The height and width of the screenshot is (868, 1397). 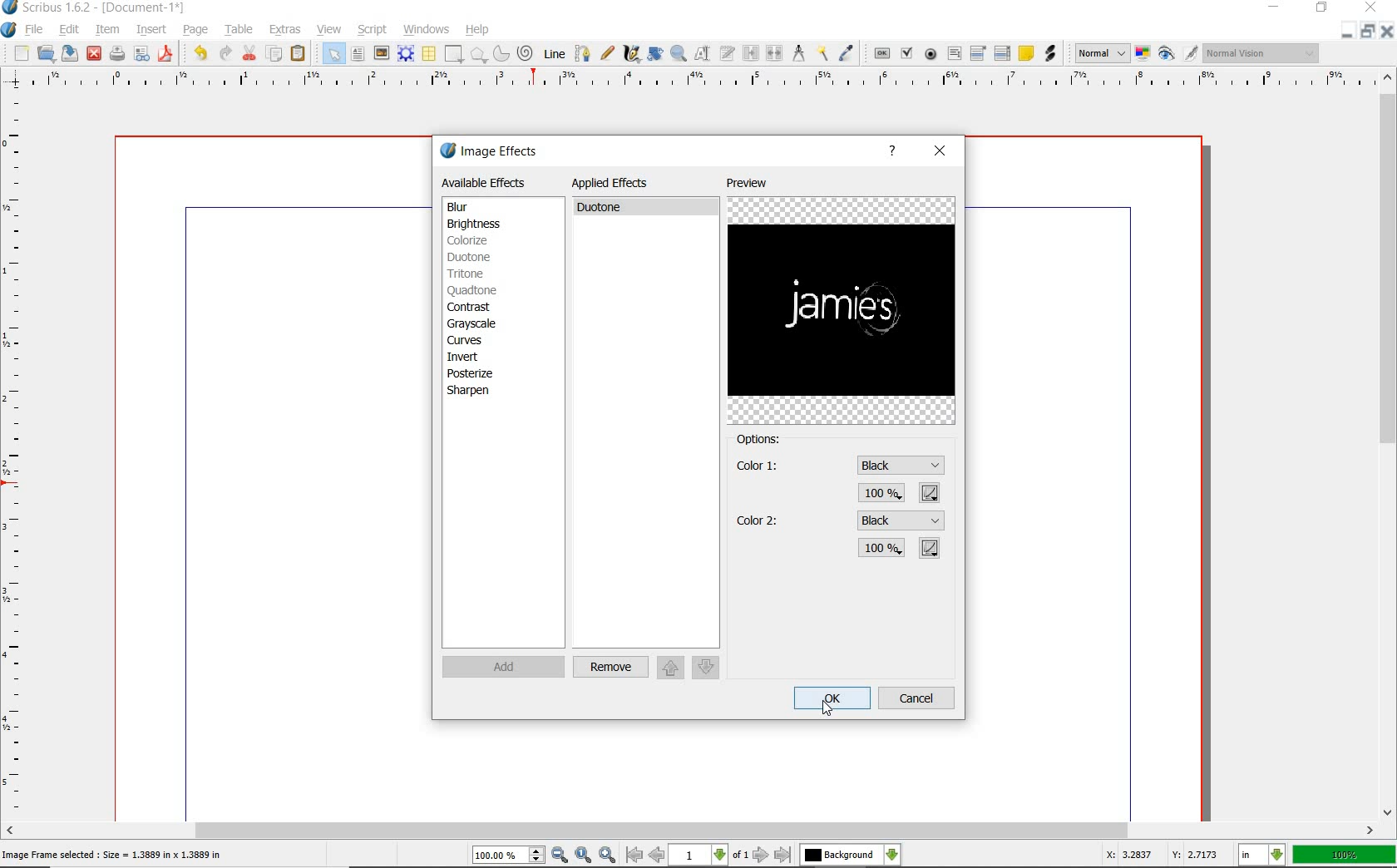 What do you see at coordinates (249, 54) in the screenshot?
I see `CUT` at bounding box center [249, 54].